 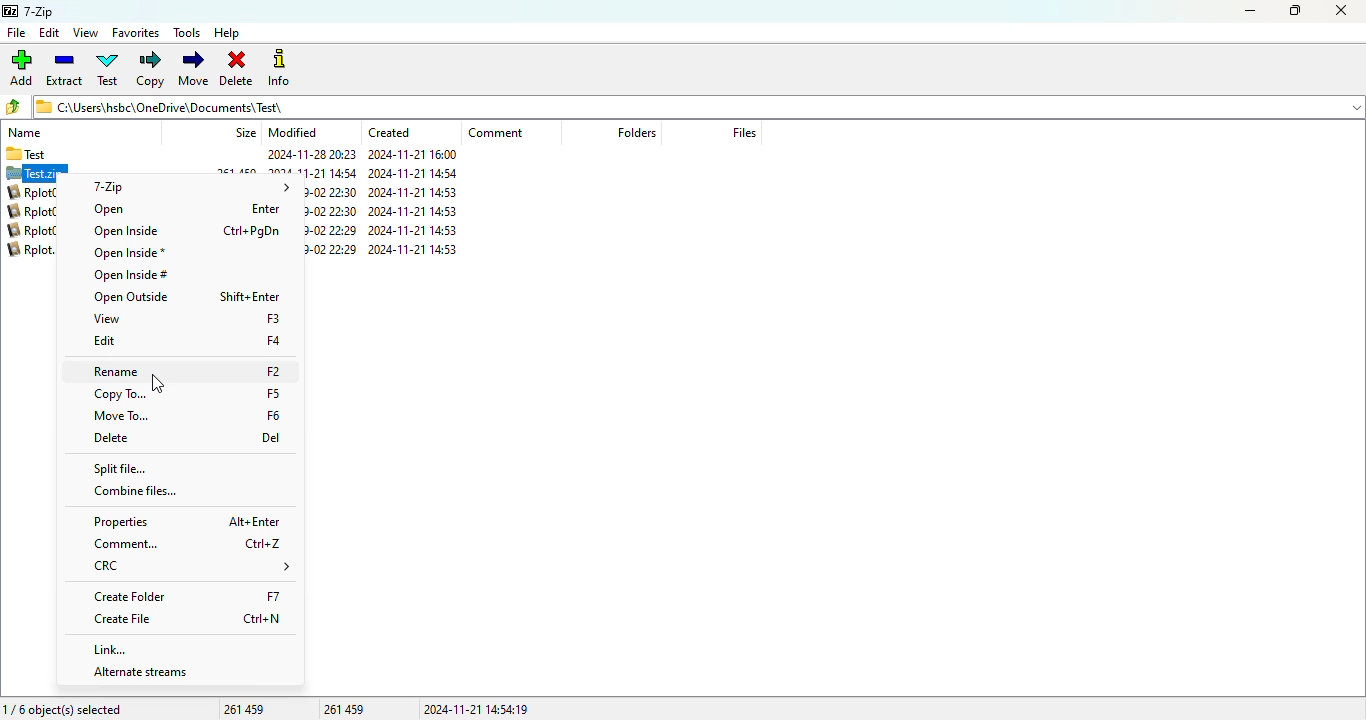 What do you see at coordinates (389, 132) in the screenshot?
I see `created` at bounding box center [389, 132].